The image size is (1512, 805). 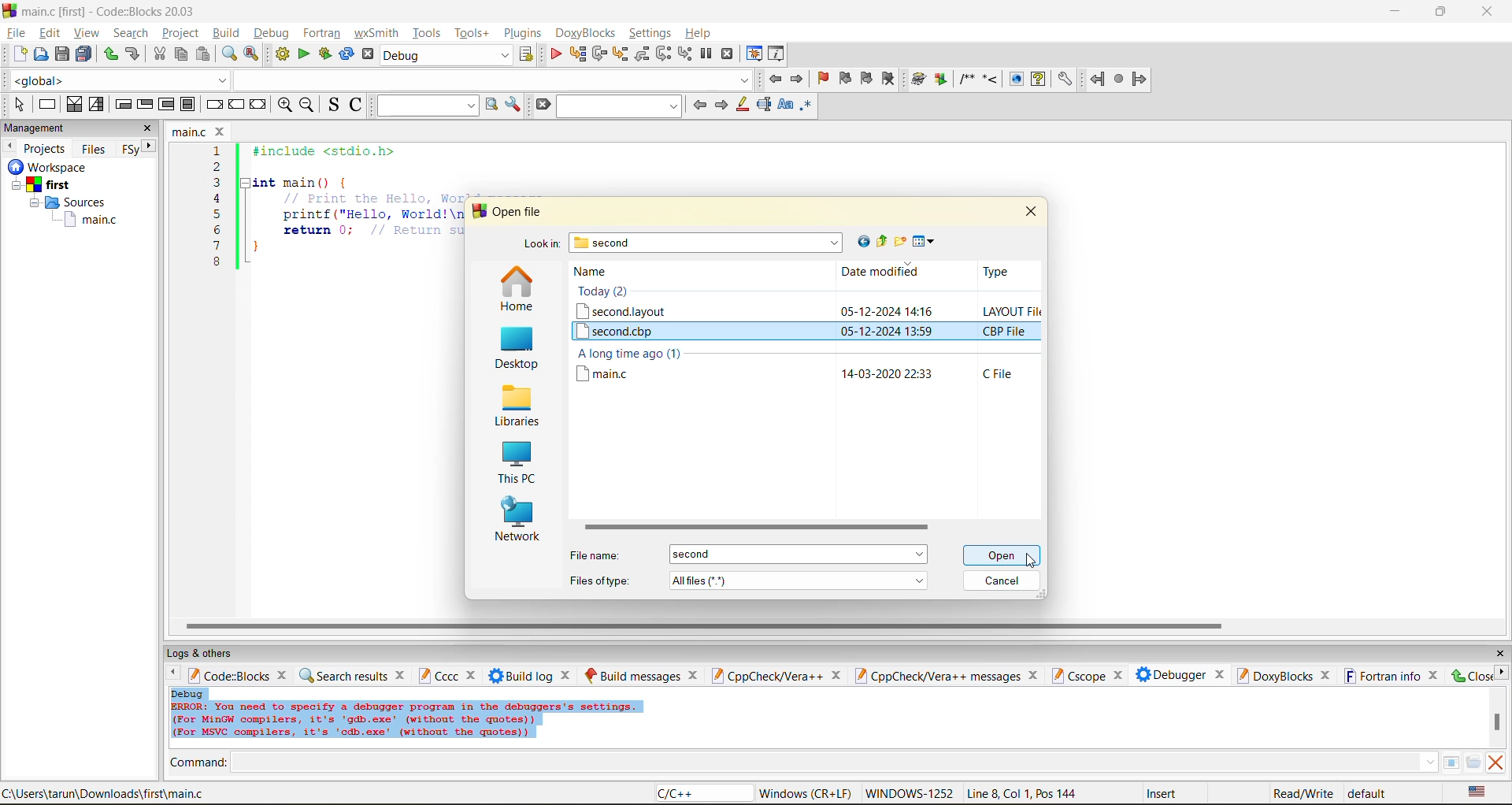 I want to click on selection, so click(x=97, y=105).